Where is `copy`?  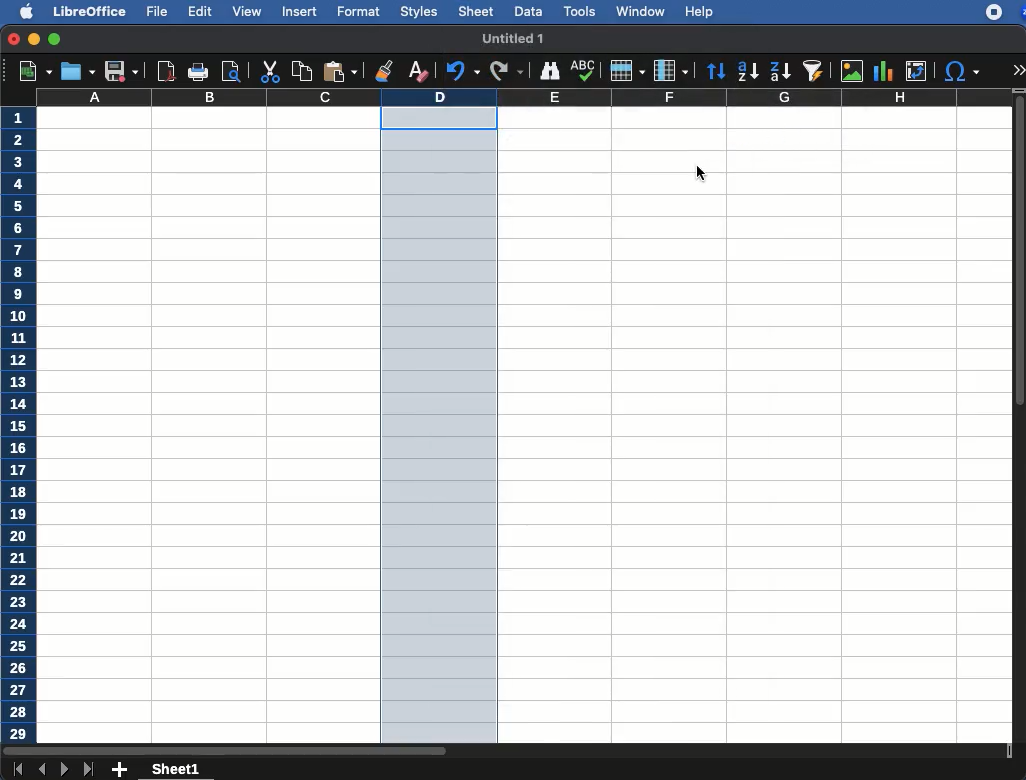 copy is located at coordinates (299, 71).